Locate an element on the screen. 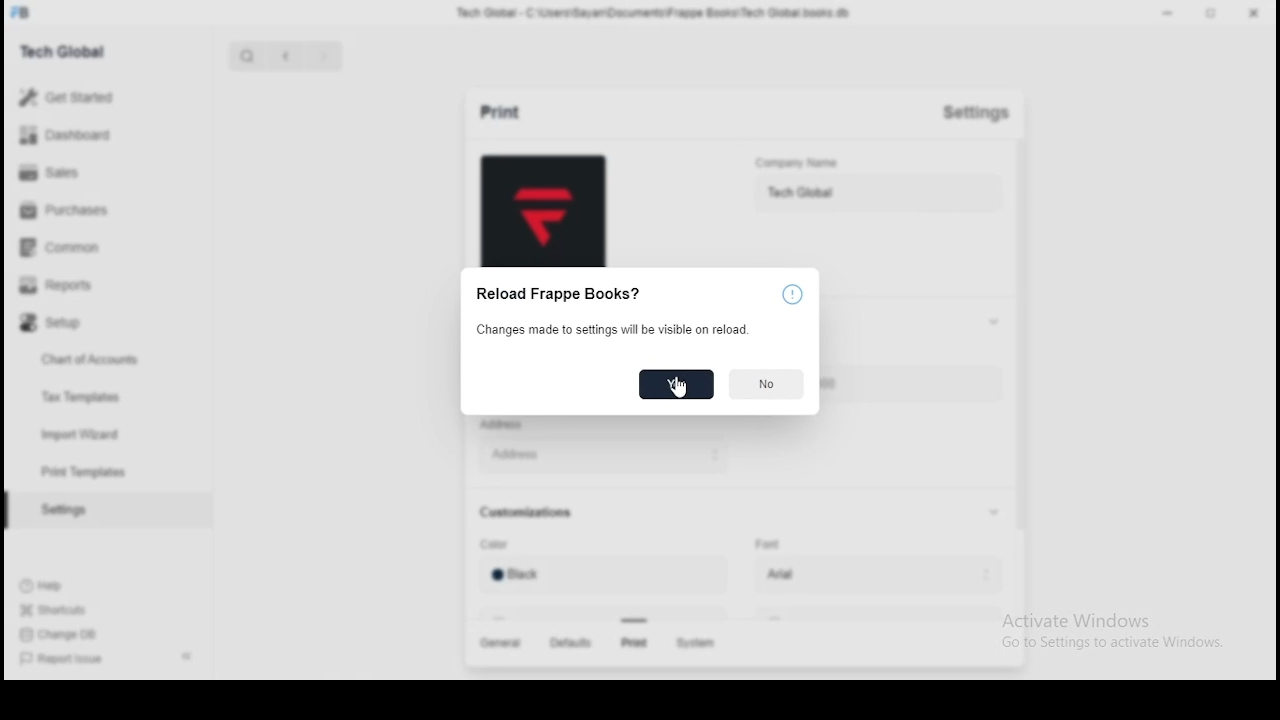 This screenshot has height=720, width=1280. GENERAL  is located at coordinates (503, 645).